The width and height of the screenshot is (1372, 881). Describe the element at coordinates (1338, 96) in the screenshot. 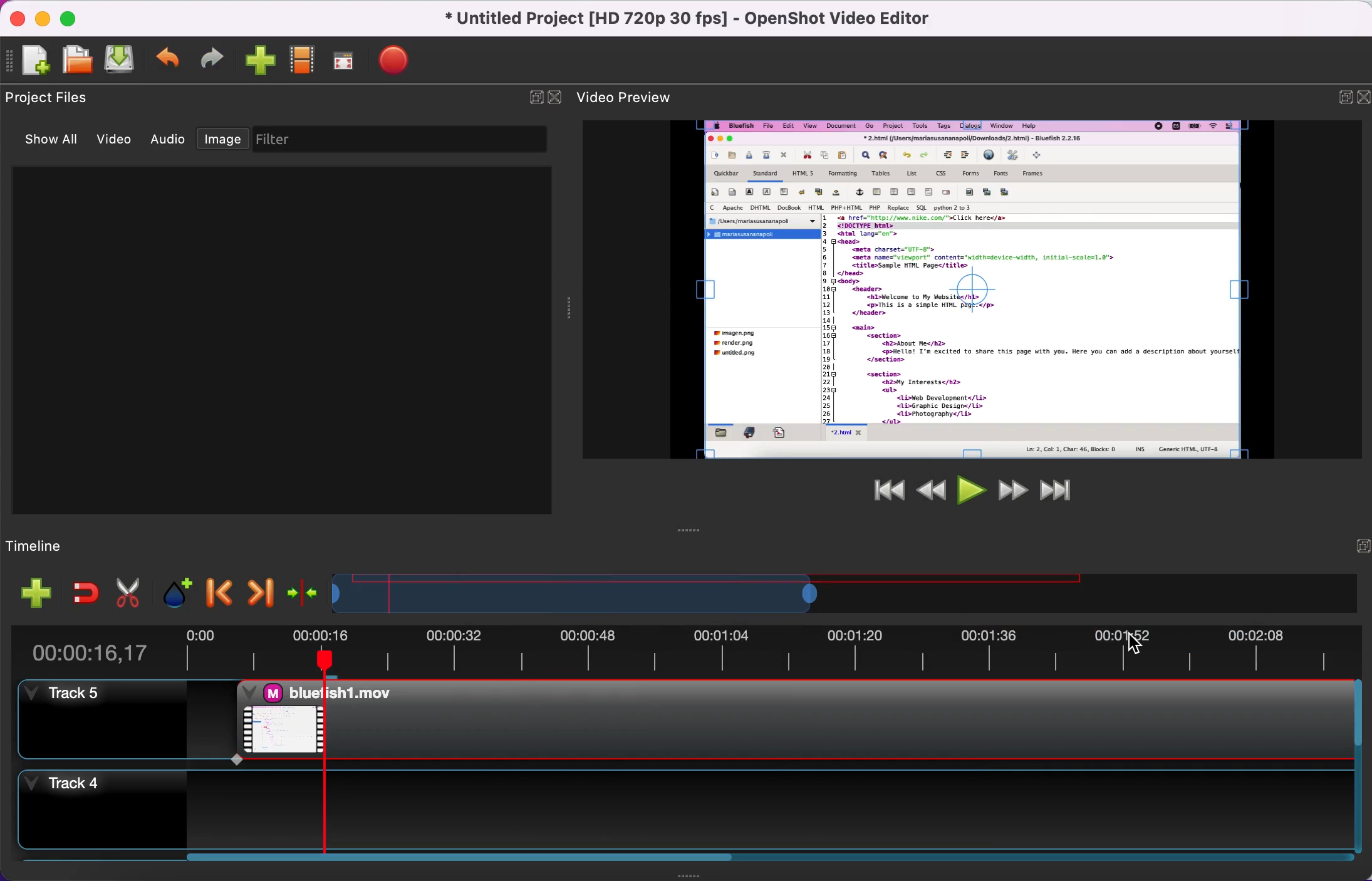

I see `expand/hide` at that location.